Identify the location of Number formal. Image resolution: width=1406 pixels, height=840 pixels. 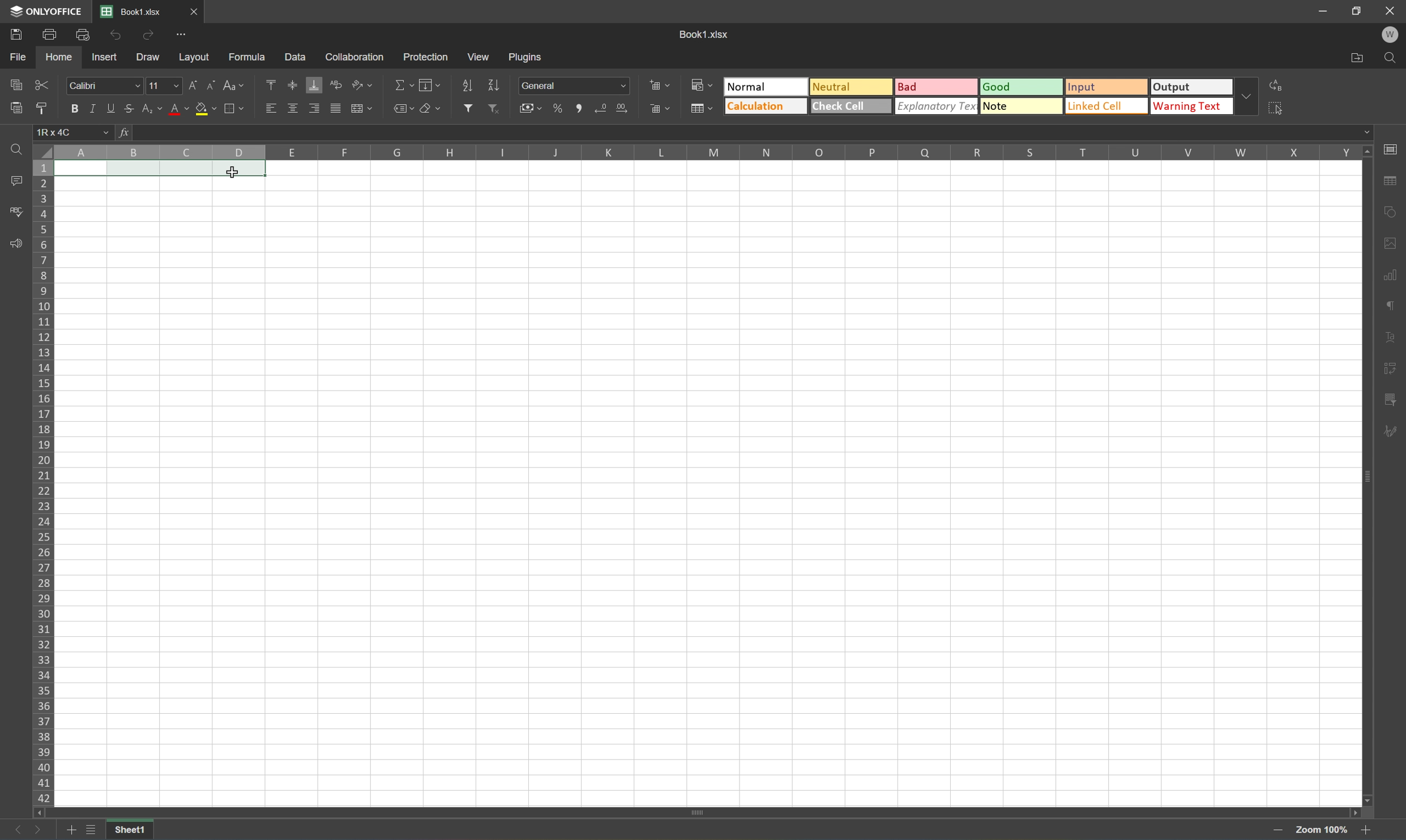
(574, 85).